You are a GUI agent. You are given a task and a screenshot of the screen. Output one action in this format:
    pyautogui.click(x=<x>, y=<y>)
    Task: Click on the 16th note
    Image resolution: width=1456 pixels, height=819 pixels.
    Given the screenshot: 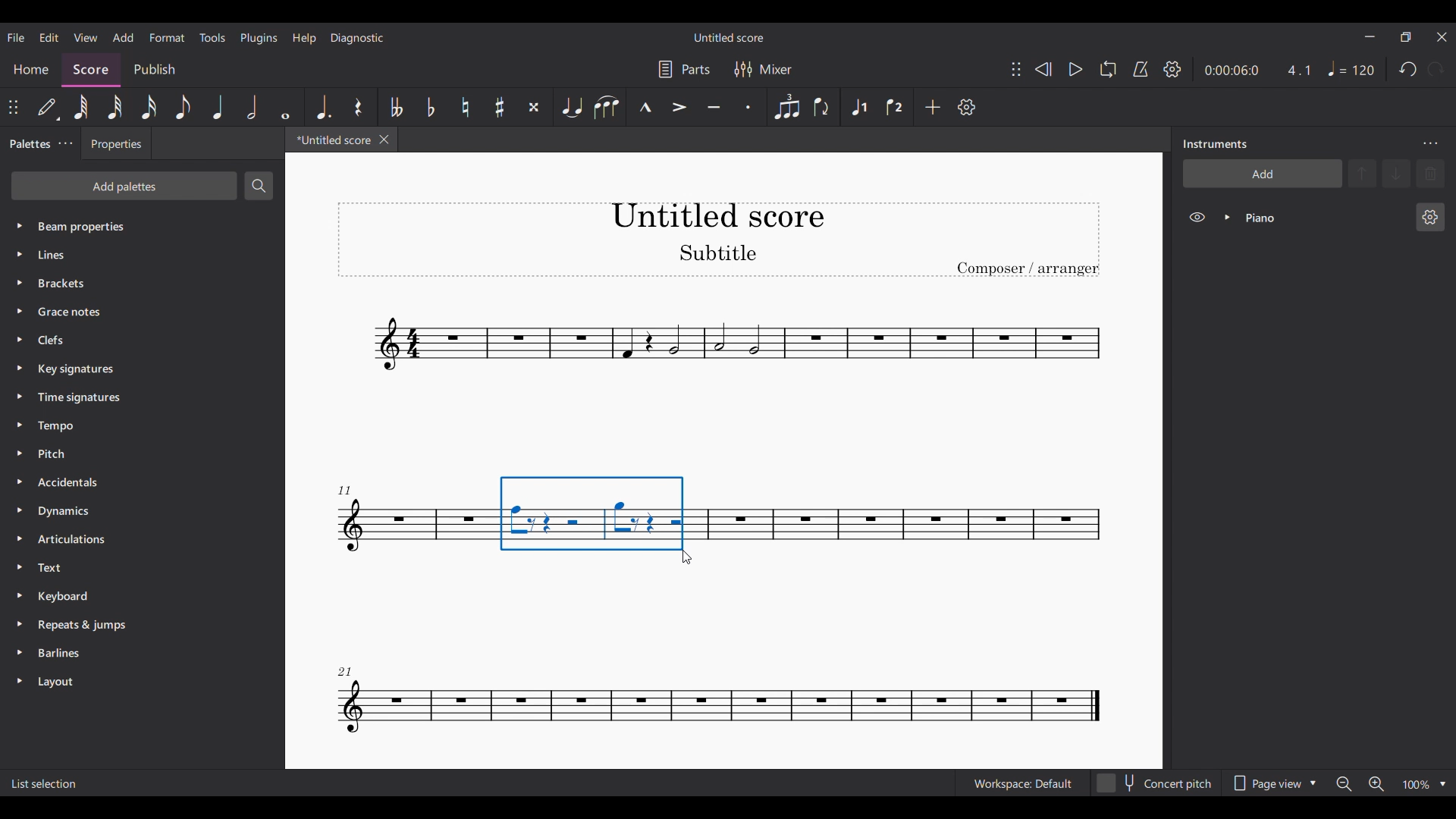 What is the action you would take?
    pyautogui.click(x=148, y=107)
    